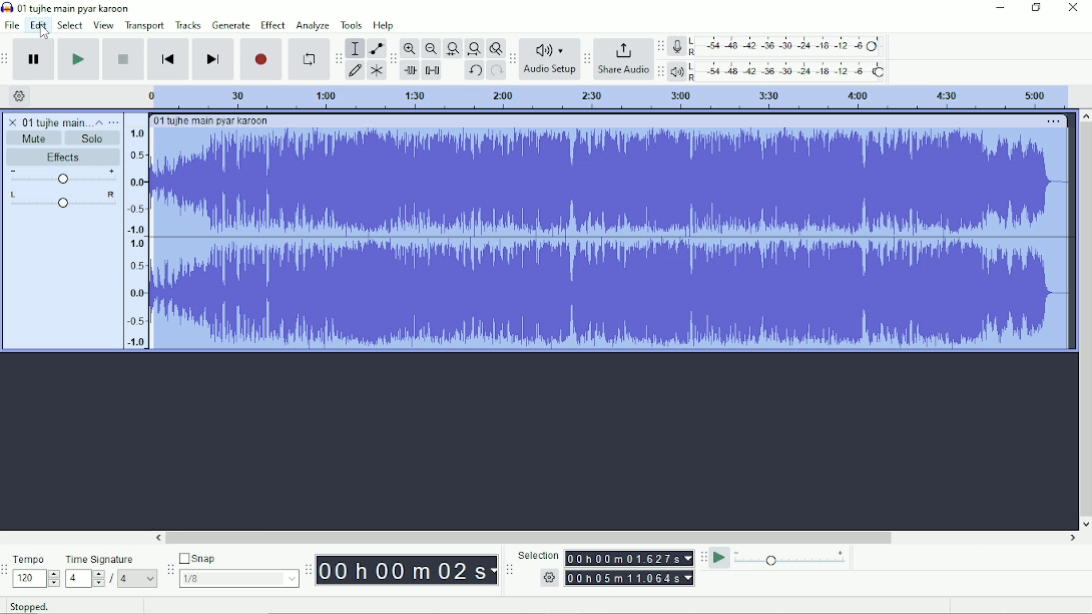 The image size is (1092, 614). What do you see at coordinates (39, 26) in the screenshot?
I see `Edit` at bounding box center [39, 26].